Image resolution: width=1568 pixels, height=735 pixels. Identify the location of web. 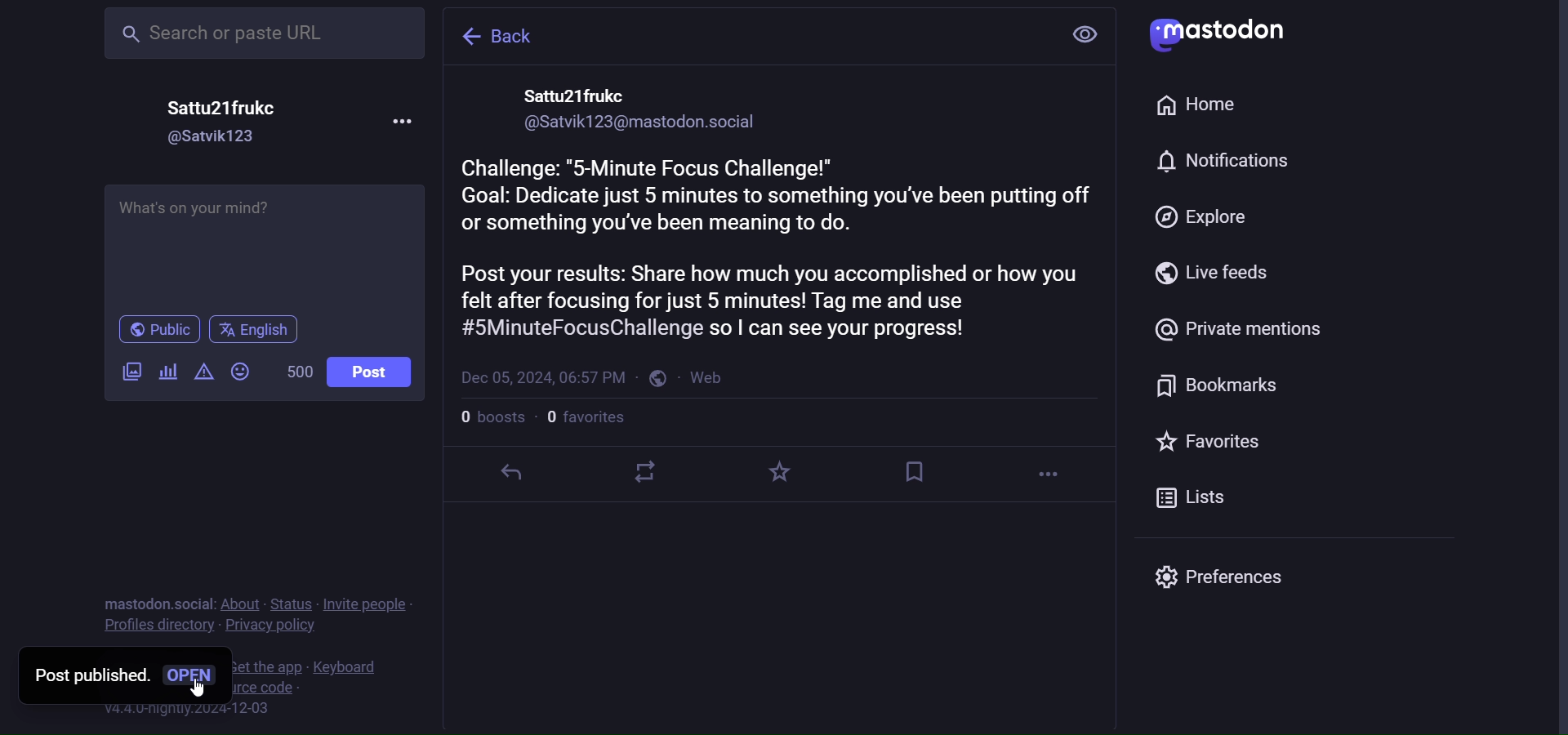
(713, 377).